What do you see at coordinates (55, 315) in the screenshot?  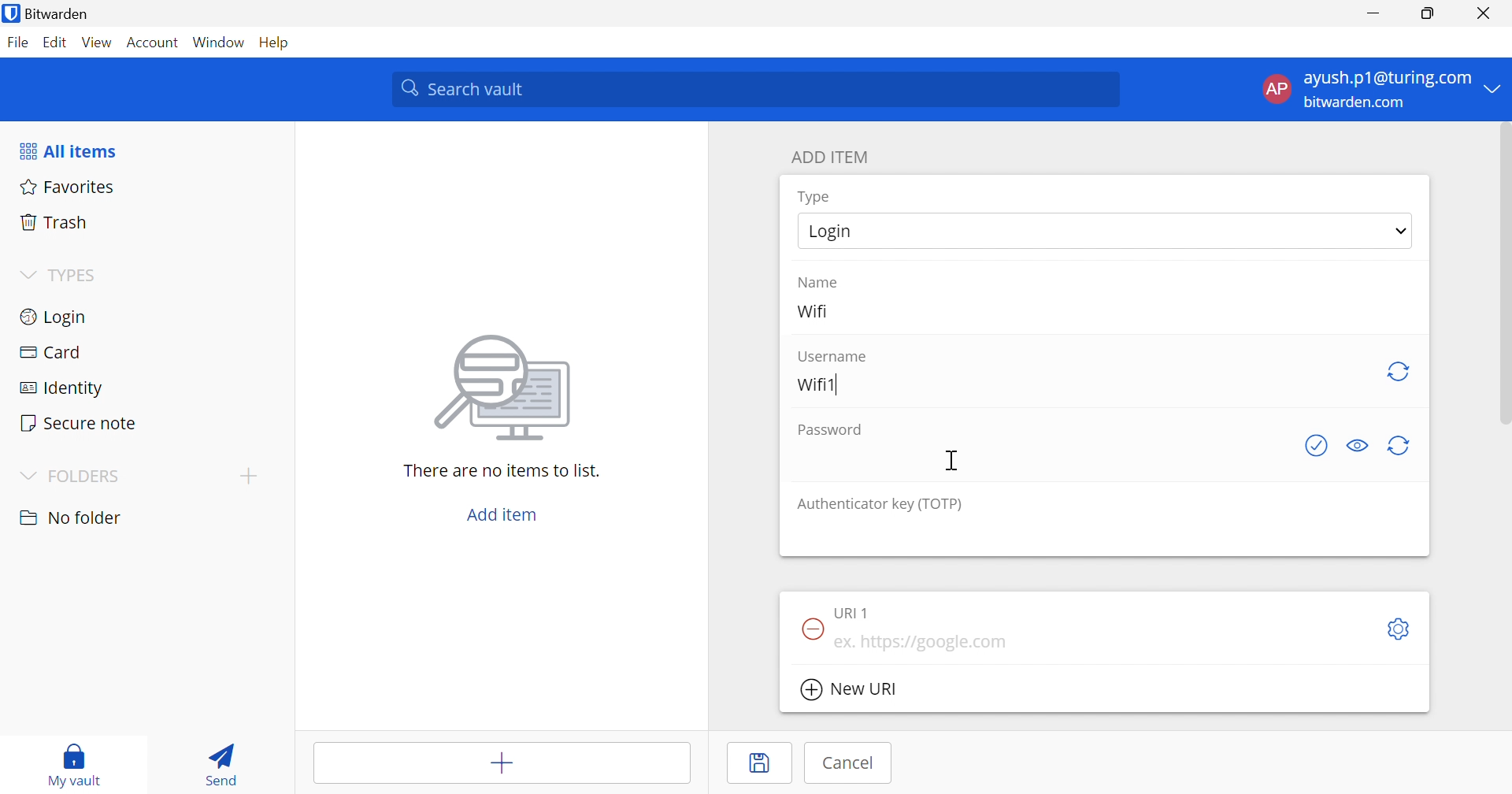 I see `Login` at bounding box center [55, 315].